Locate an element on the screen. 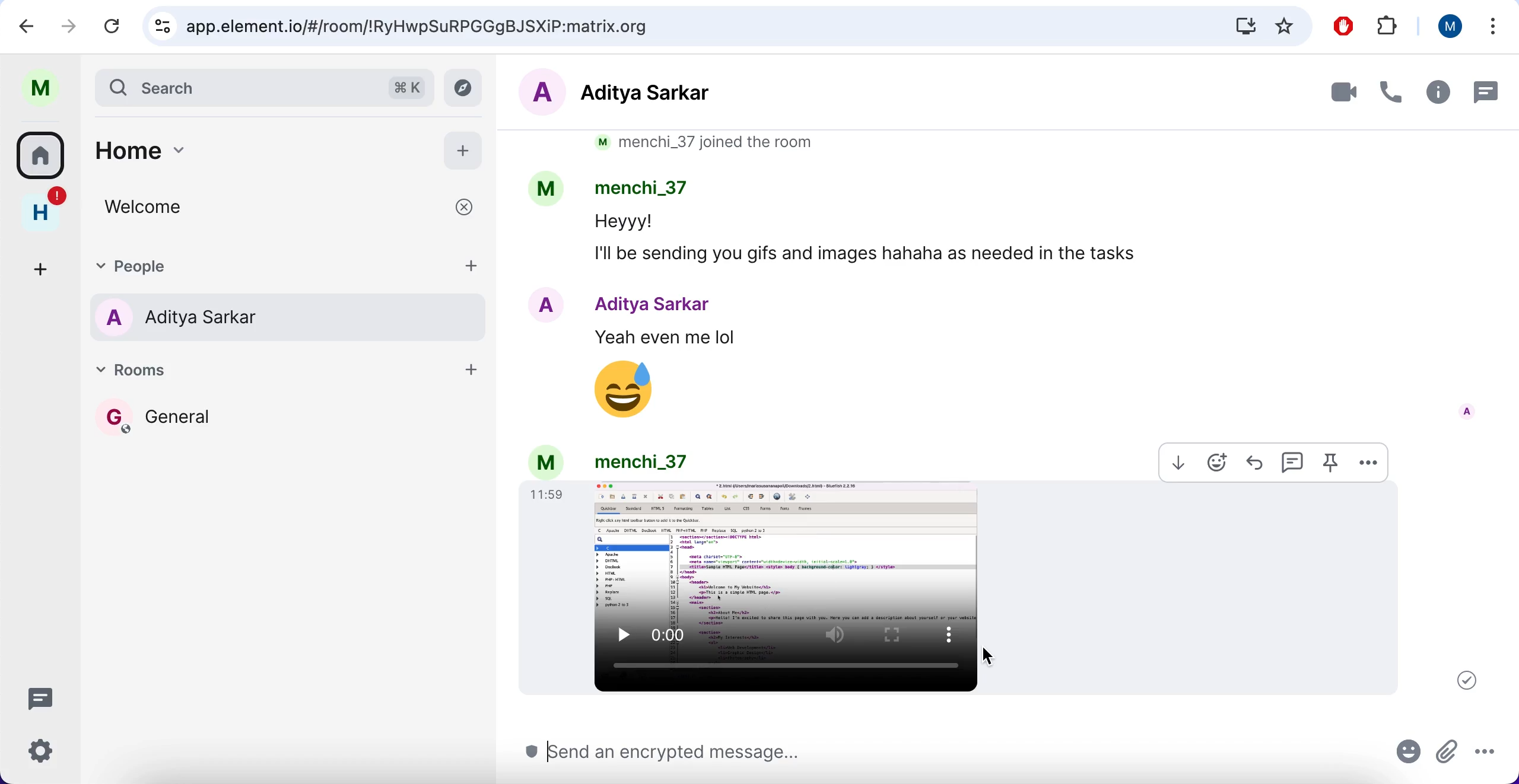 The image size is (1519, 784). view archive is located at coordinates (467, 88).